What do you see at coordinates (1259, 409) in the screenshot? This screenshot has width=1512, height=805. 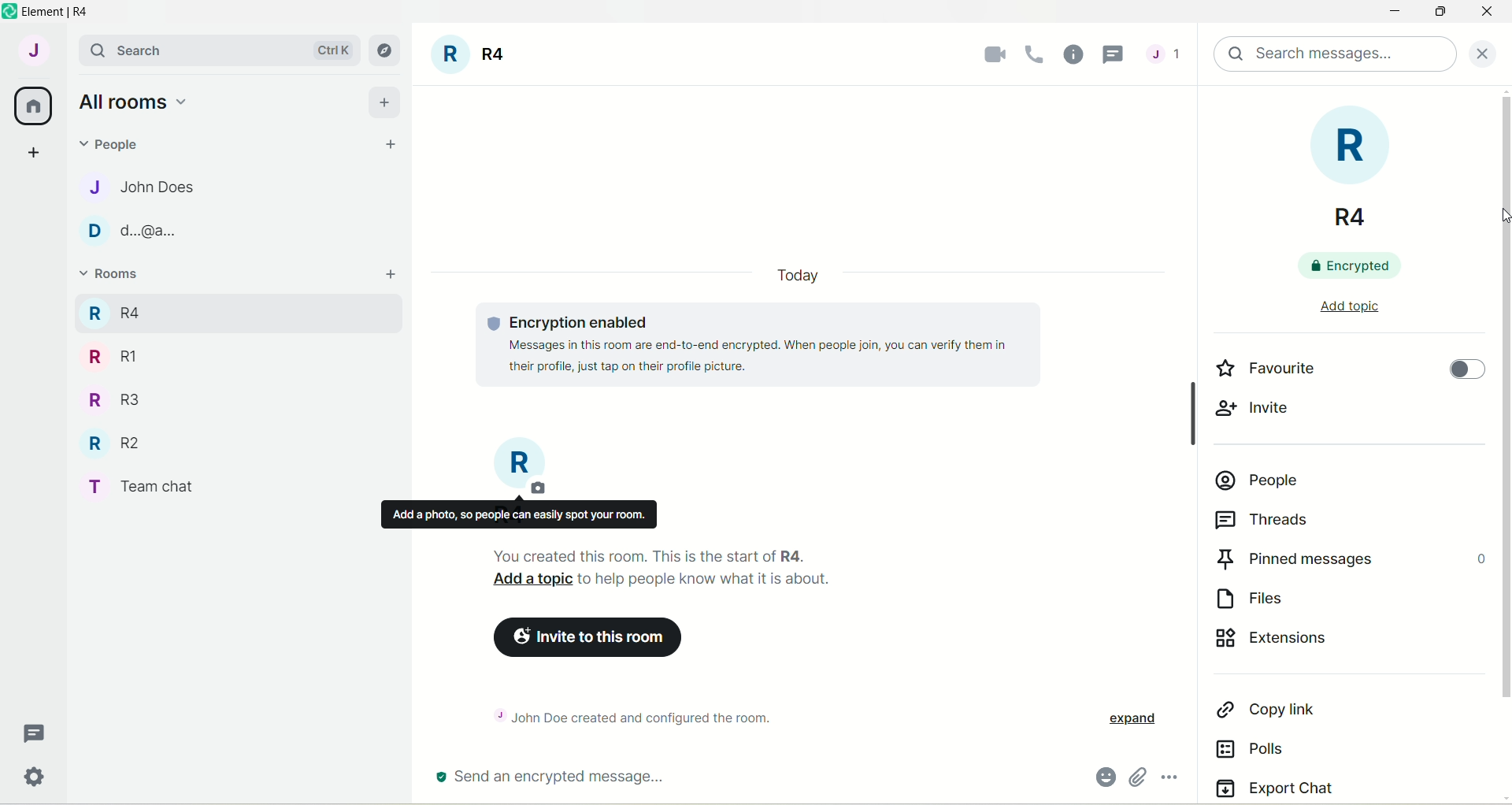 I see `invite` at bounding box center [1259, 409].